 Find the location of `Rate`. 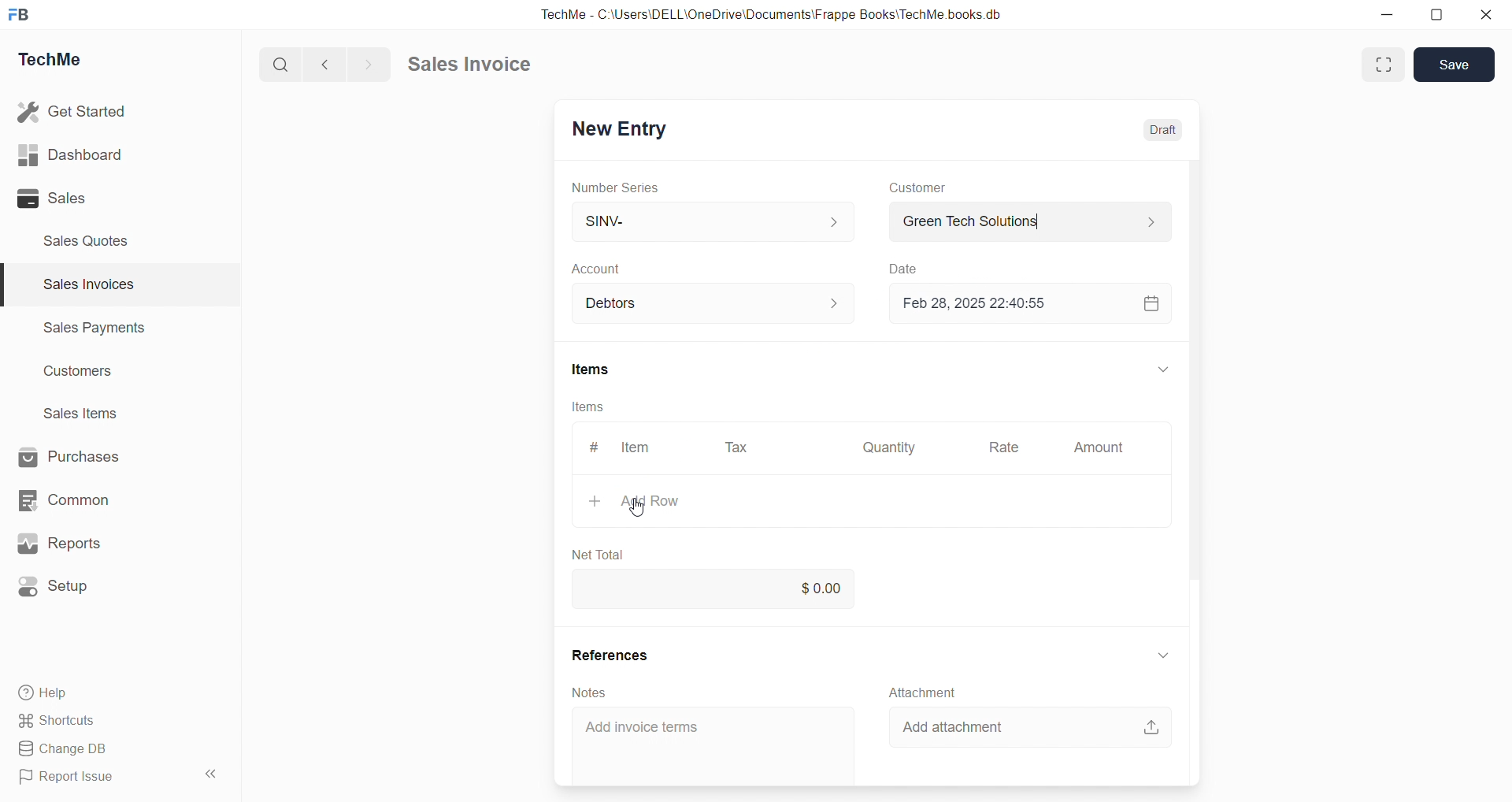

Rate is located at coordinates (1006, 447).